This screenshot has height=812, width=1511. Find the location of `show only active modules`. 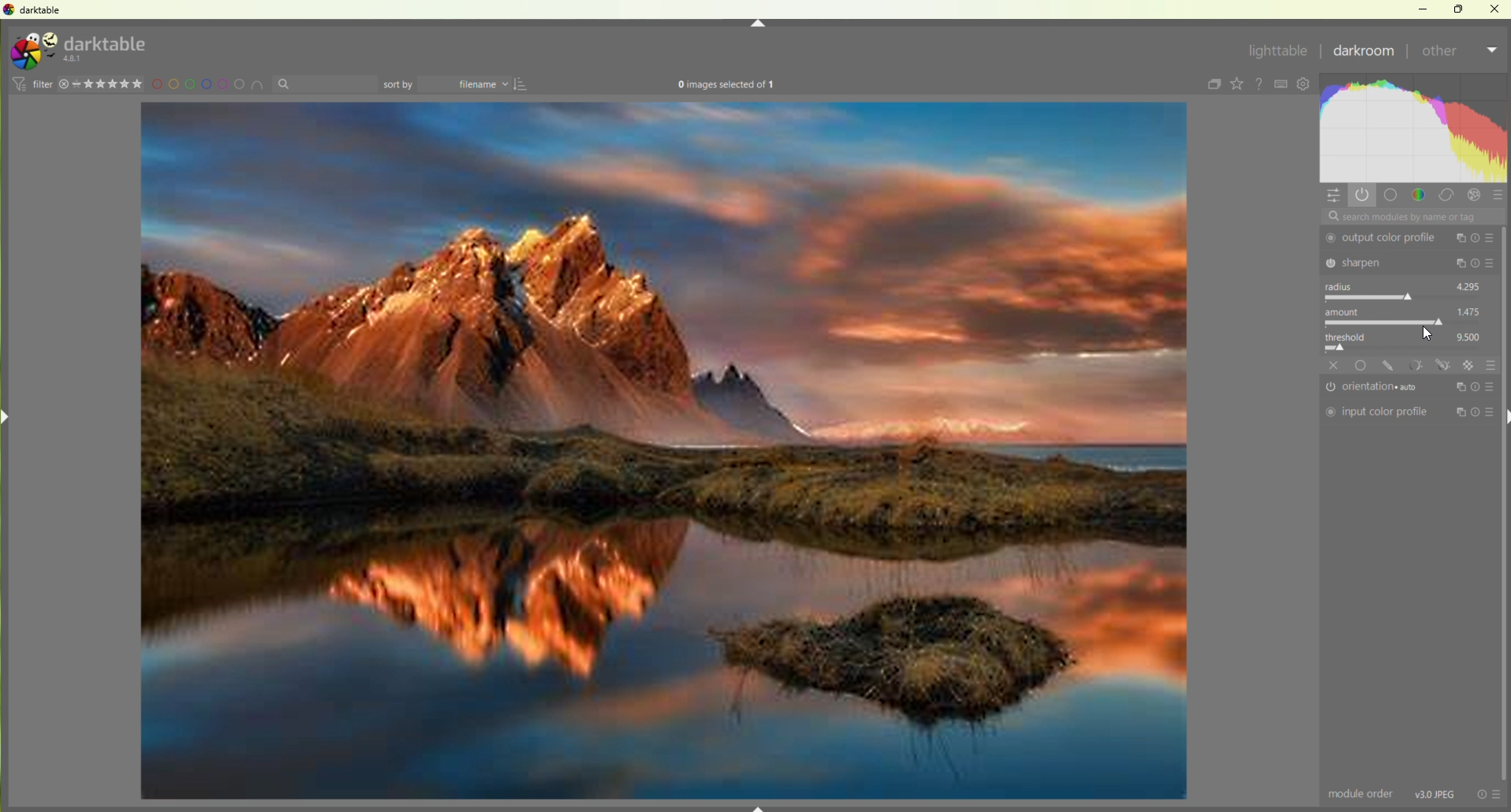

show only active modules is located at coordinates (1364, 195).